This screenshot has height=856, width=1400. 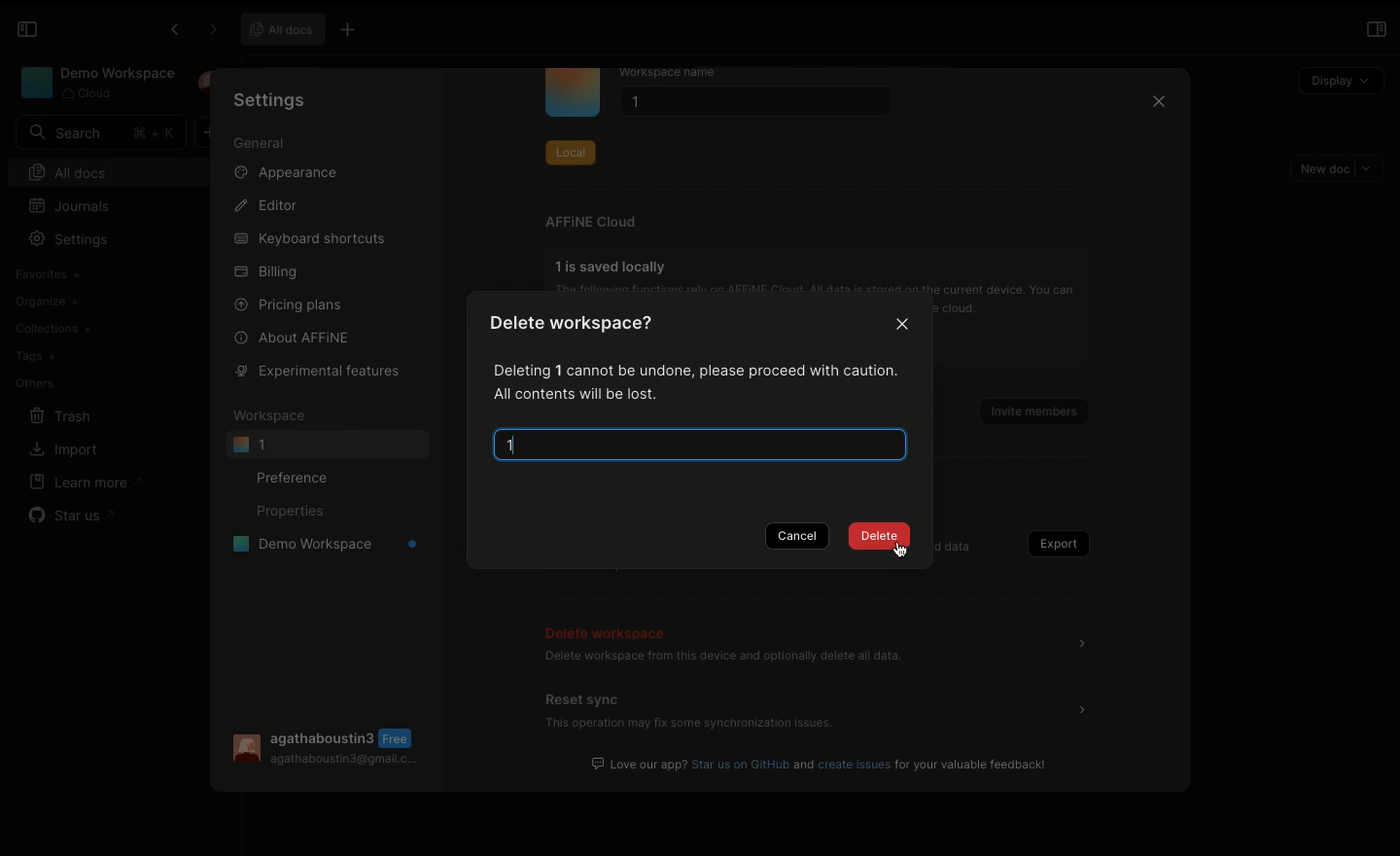 What do you see at coordinates (1157, 104) in the screenshot?
I see `Close` at bounding box center [1157, 104].